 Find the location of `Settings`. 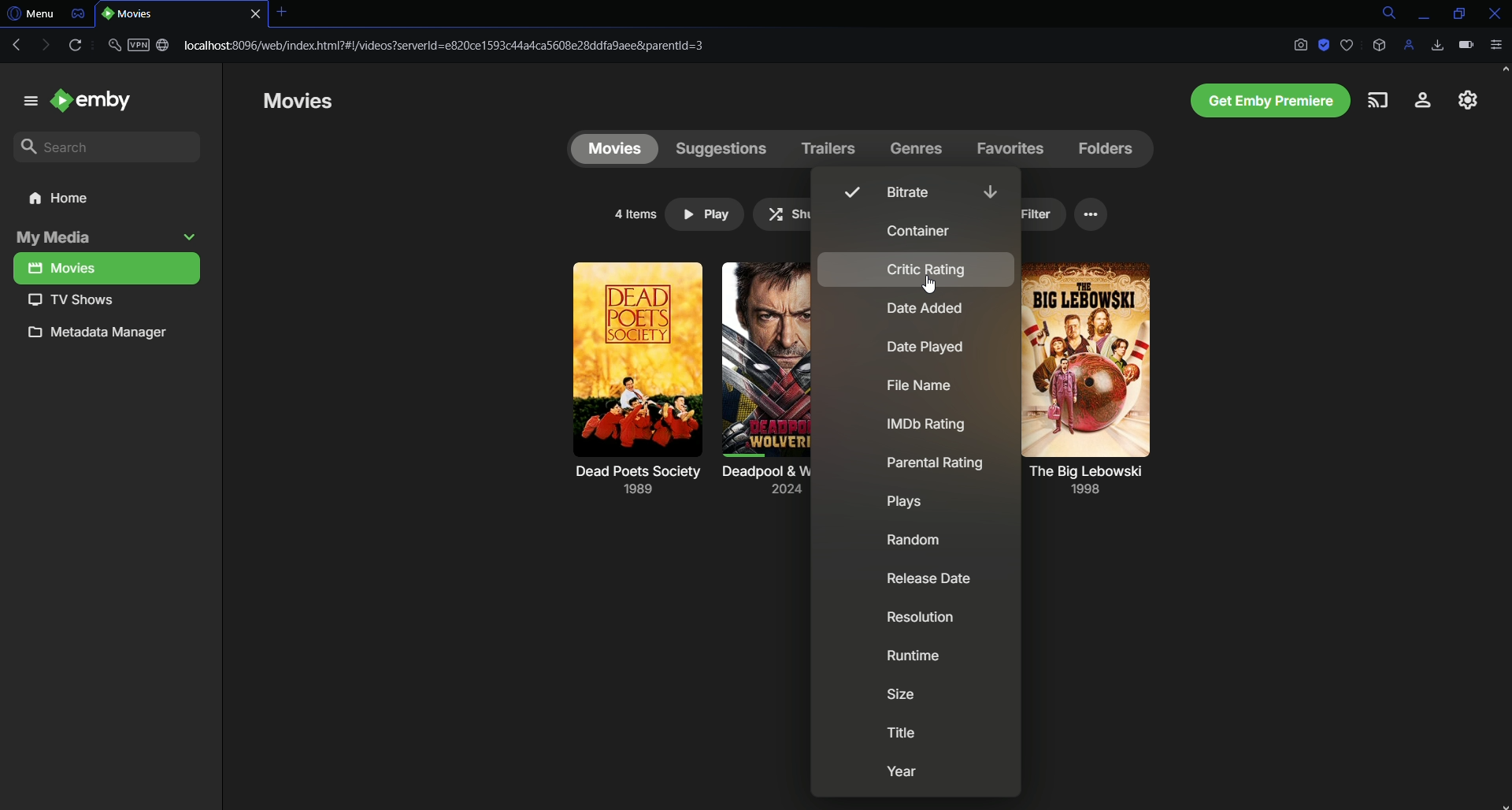

Settings is located at coordinates (1462, 102).